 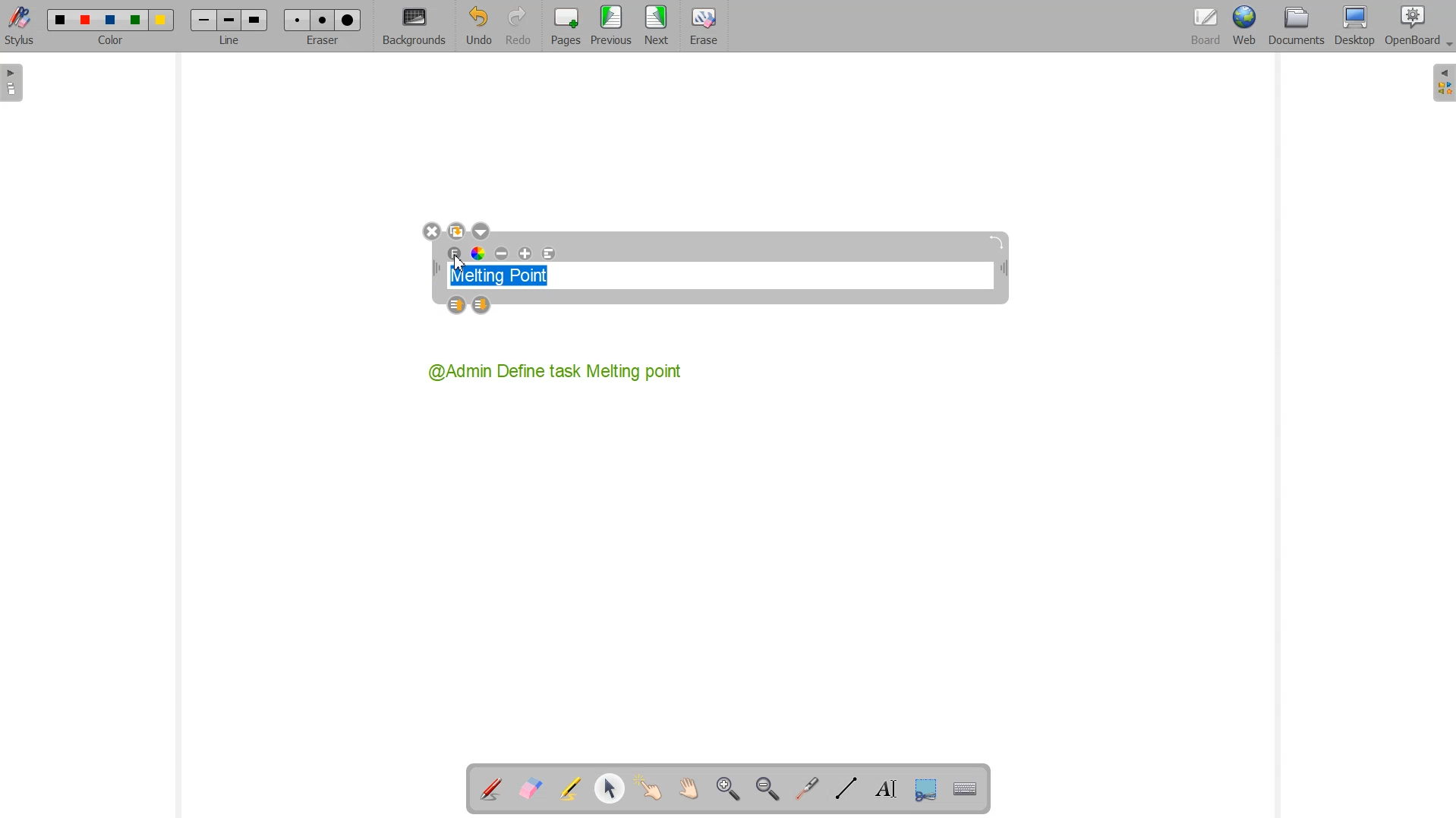 I want to click on Sidebar, so click(x=14, y=83).